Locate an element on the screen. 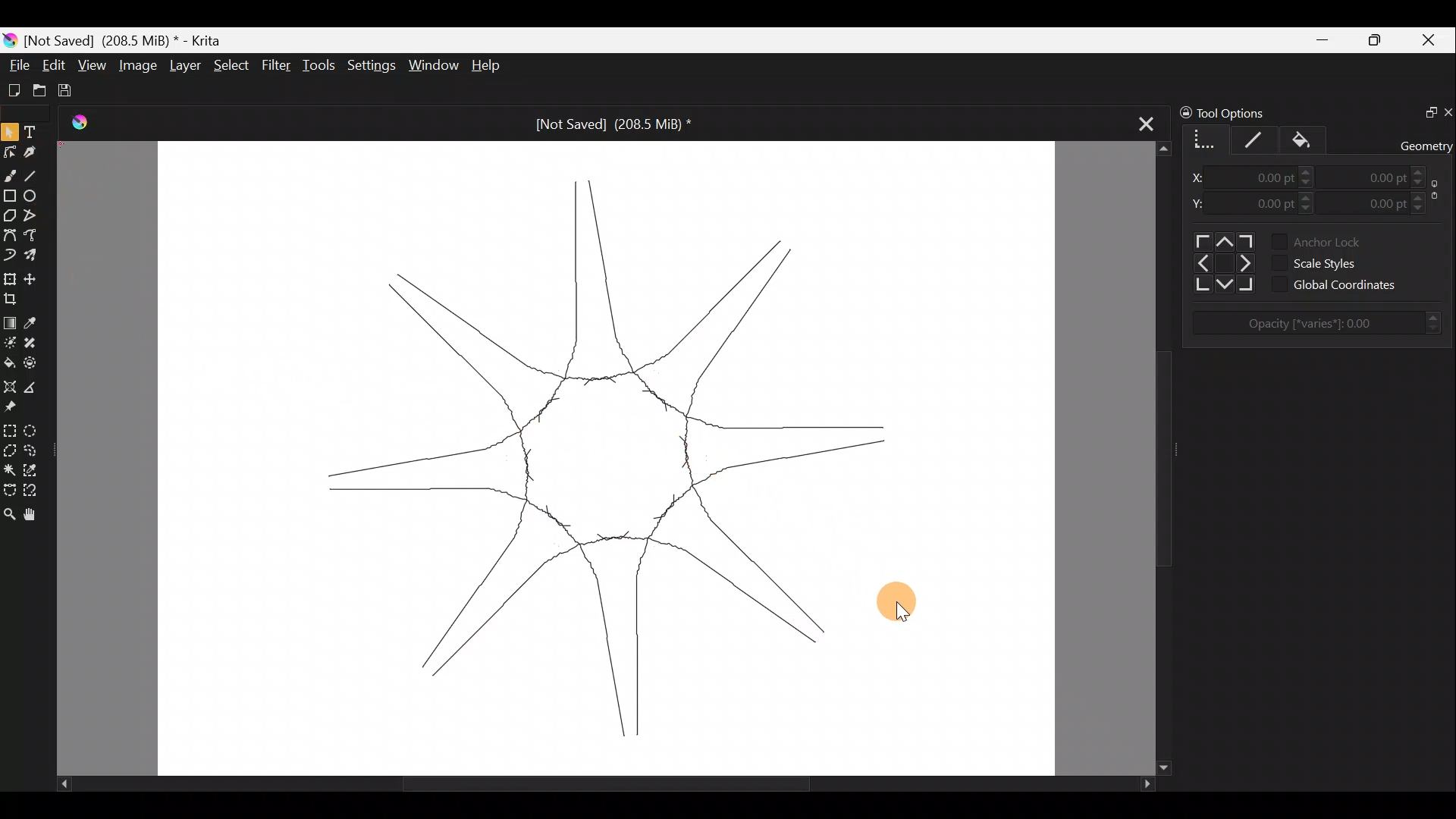 The width and height of the screenshot is (1456, 819). Contiguous selection tool is located at coordinates (9, 467).